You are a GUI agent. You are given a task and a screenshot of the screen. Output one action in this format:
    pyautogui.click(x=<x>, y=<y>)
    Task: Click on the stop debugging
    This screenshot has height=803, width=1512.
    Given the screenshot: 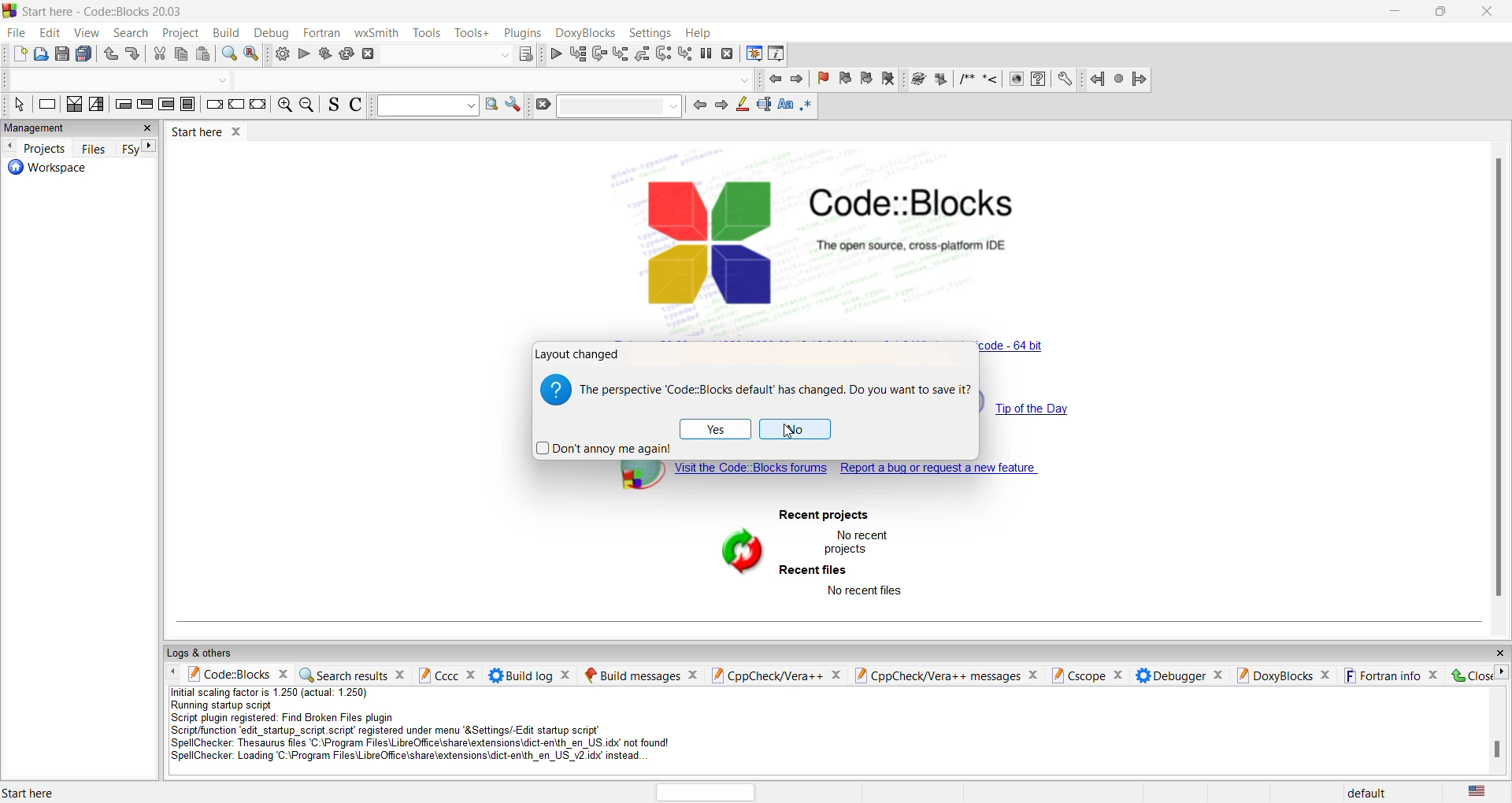 What is the action you would take?
    pyautogui.click(x=727, y=55)
    